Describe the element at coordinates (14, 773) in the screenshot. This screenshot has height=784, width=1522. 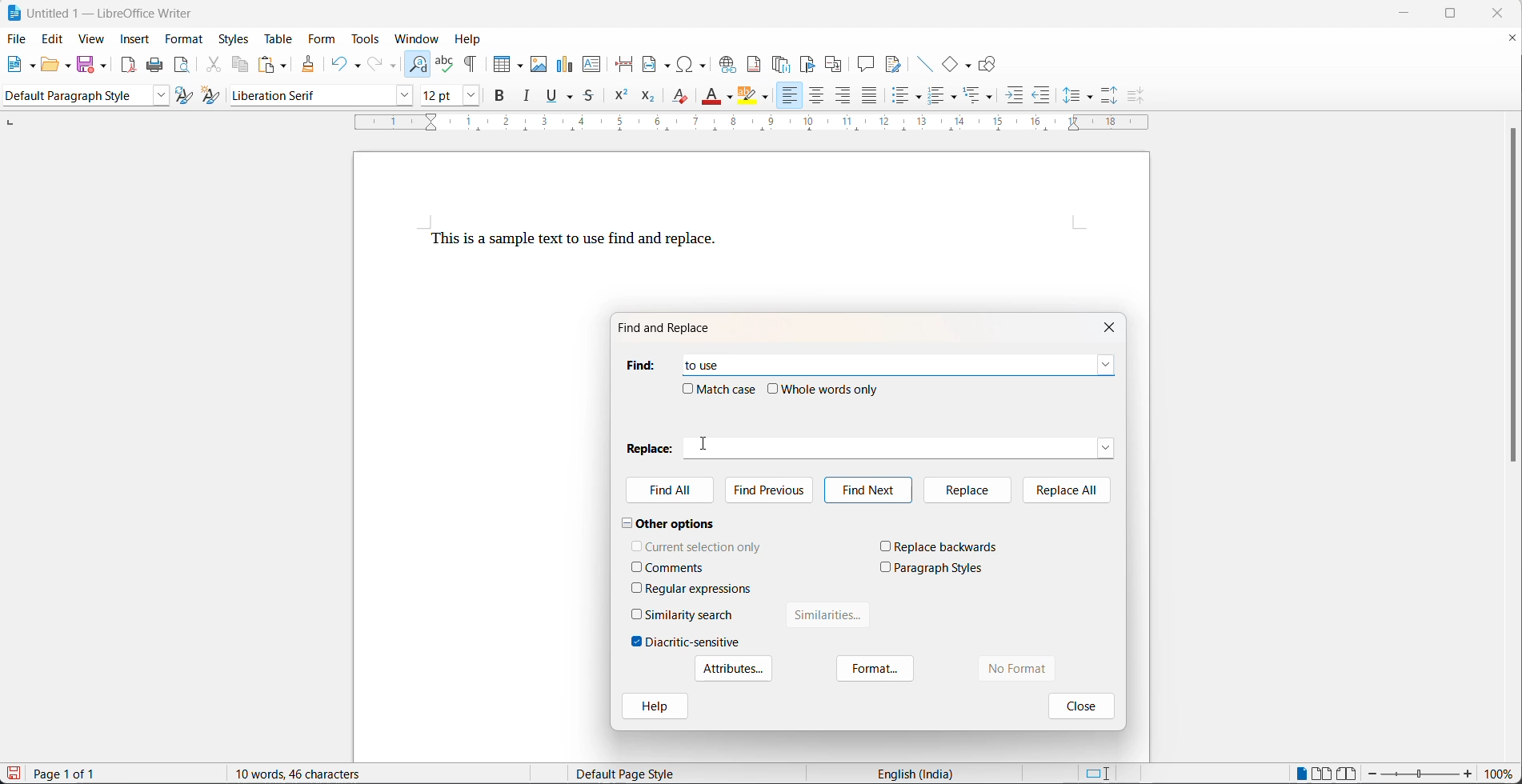
I see `save` at that location.